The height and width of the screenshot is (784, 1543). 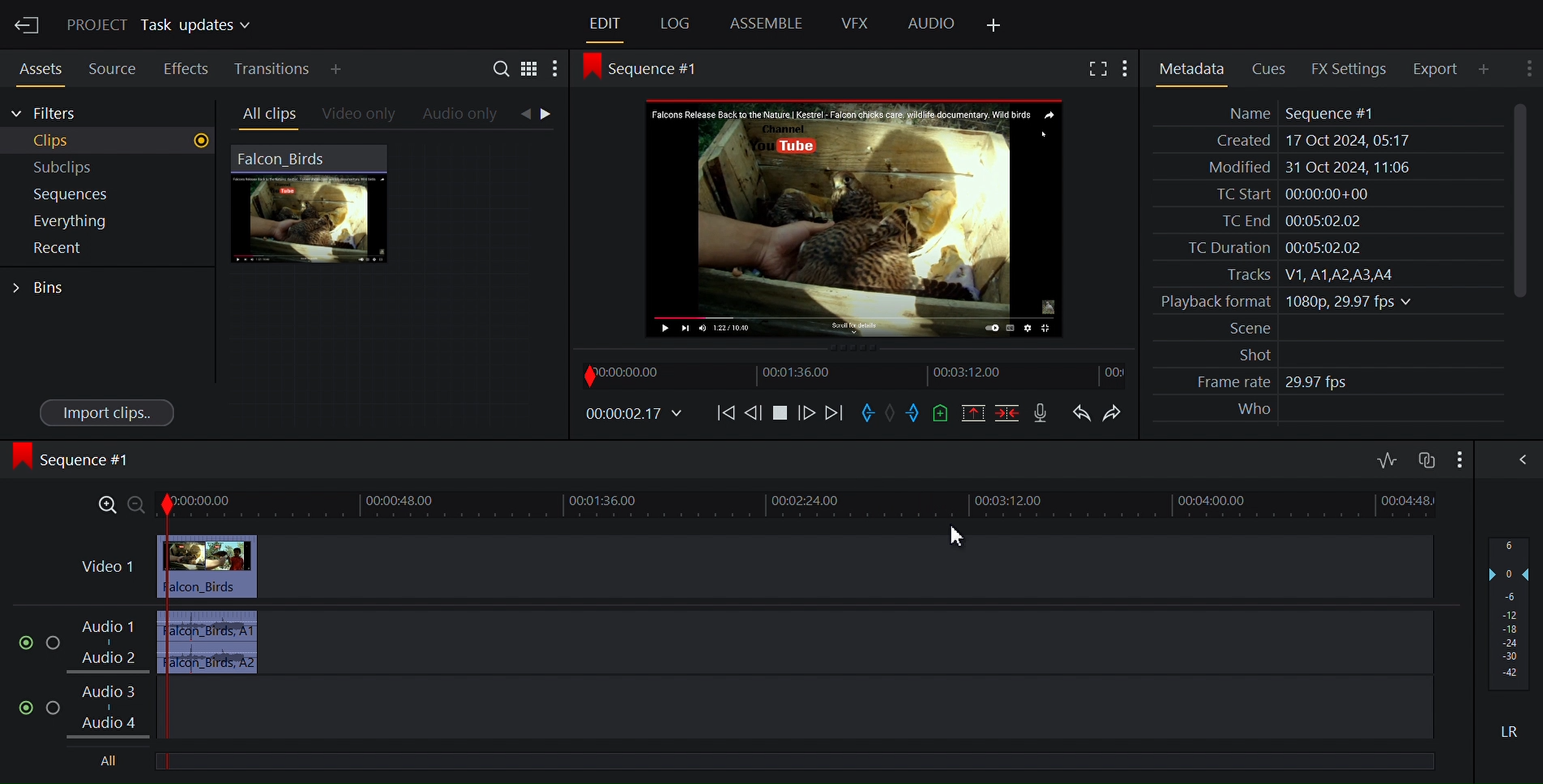 What do you see at coordinates (1293, 113) in the screenshot?
I see `Name Sequence #1` at bounding box center [1293, 113].